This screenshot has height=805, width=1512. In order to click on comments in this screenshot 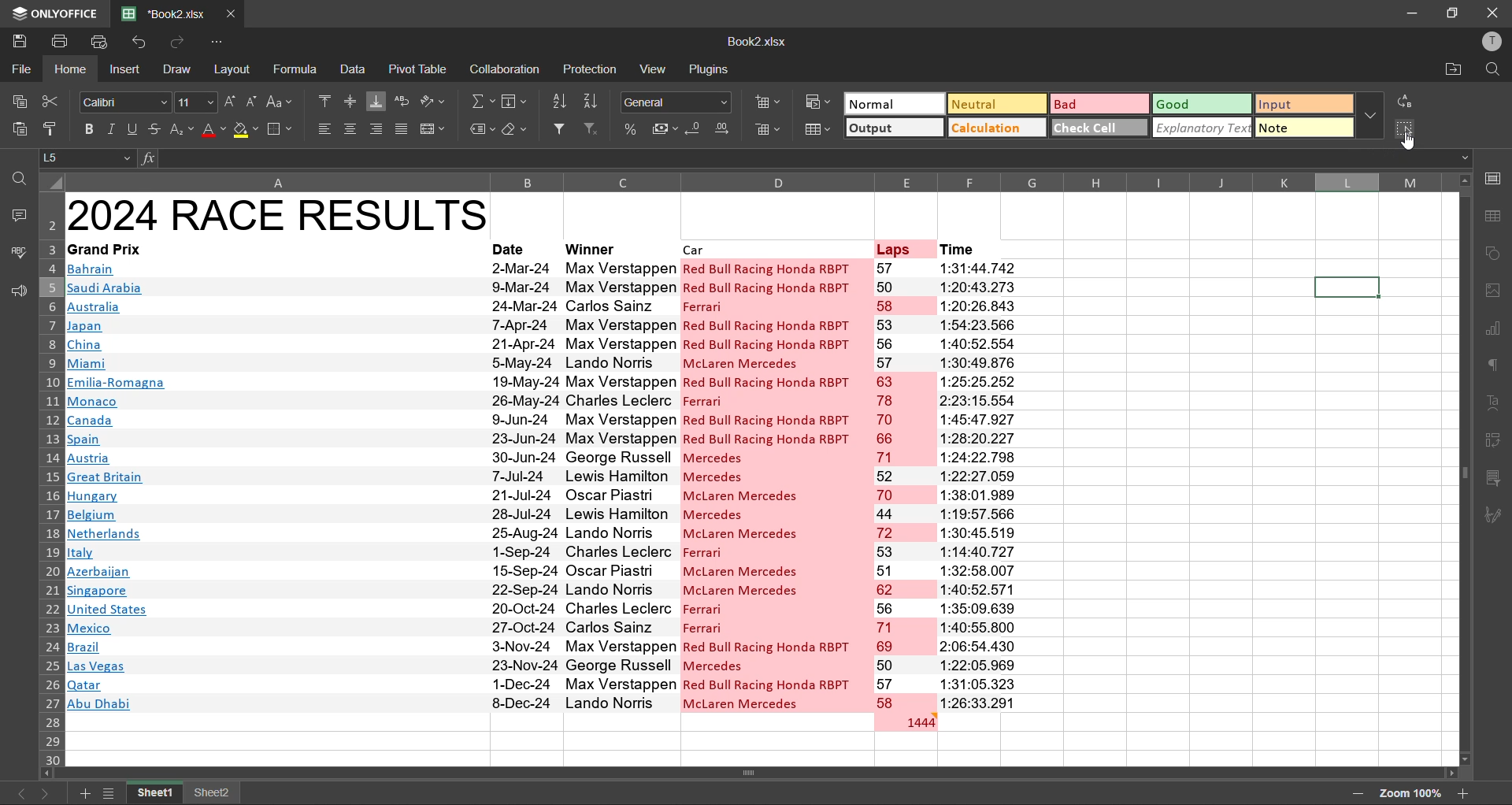, I will do `click(22, 217)`.